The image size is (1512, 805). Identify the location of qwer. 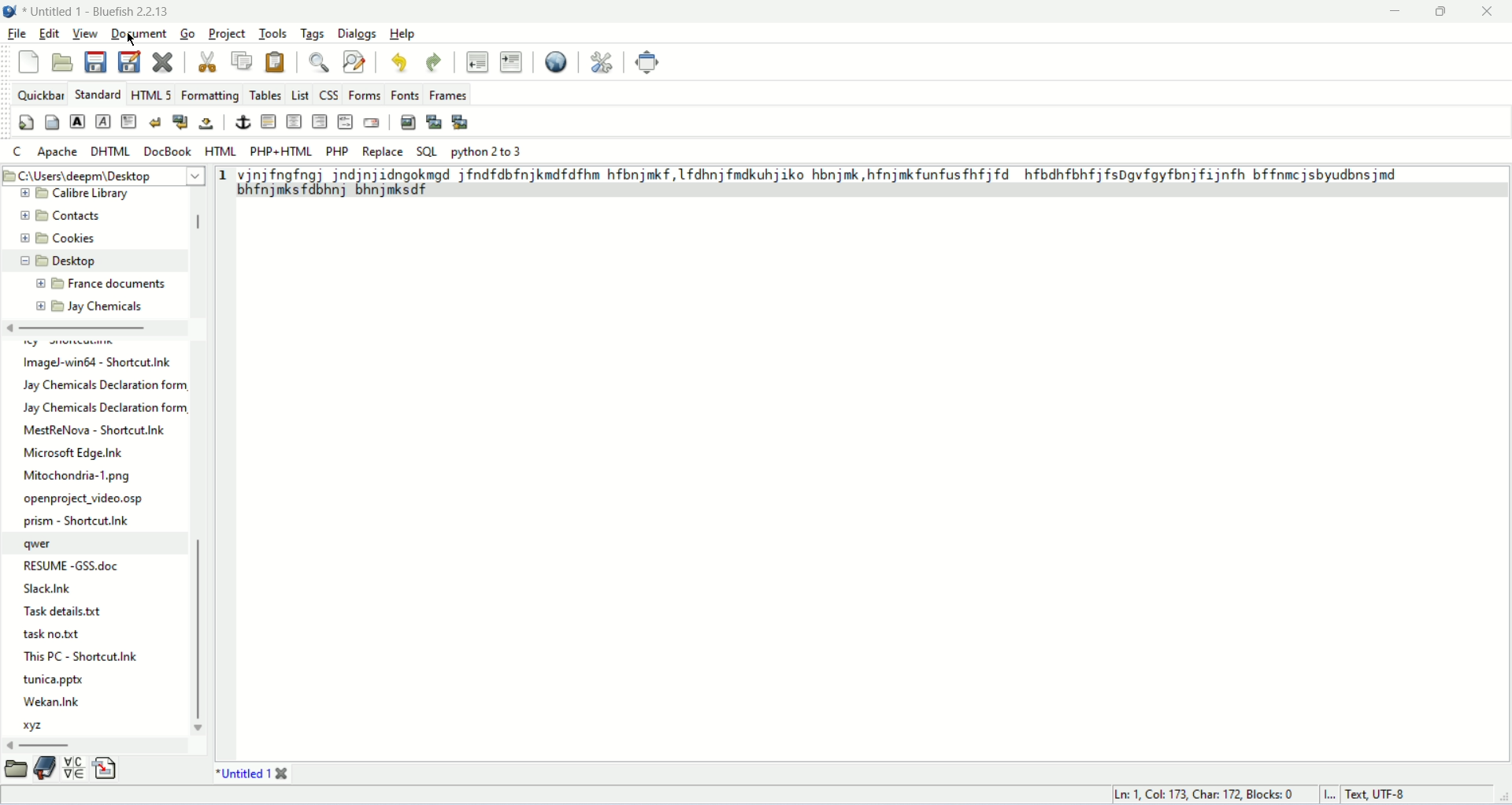
(45, 544).